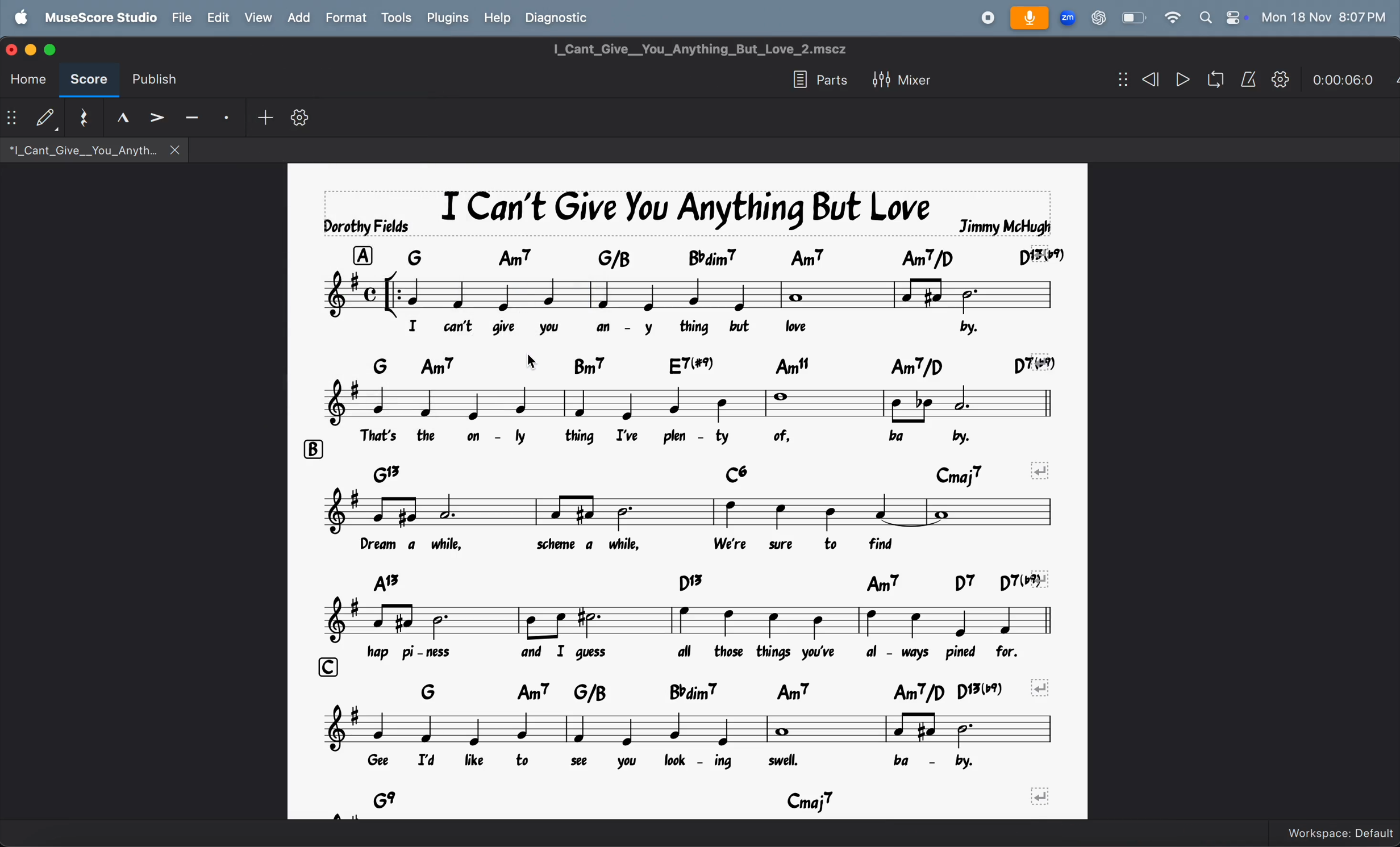 Image resolution: width=1400 pixels, height=847 pixels. I want to click on tenuto, so click(192, 115).